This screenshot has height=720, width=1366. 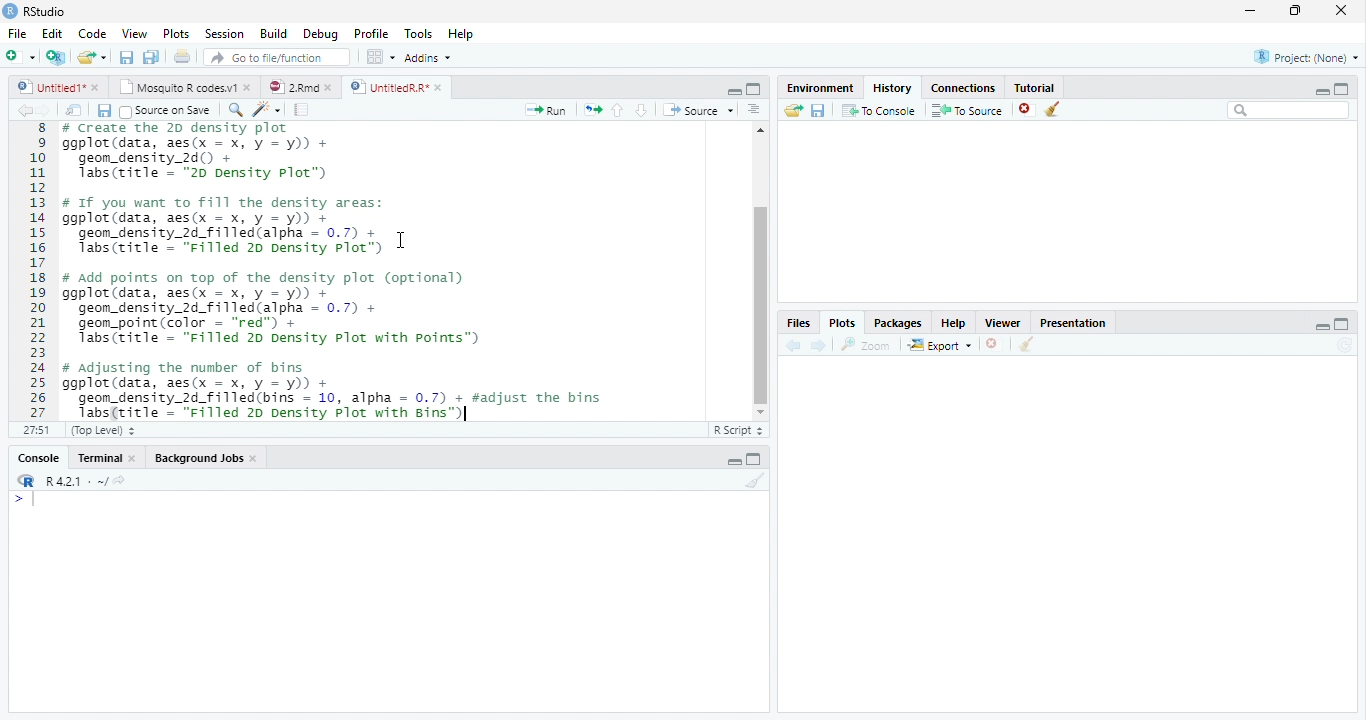 I want to click on back, so click(x=790, y=345).